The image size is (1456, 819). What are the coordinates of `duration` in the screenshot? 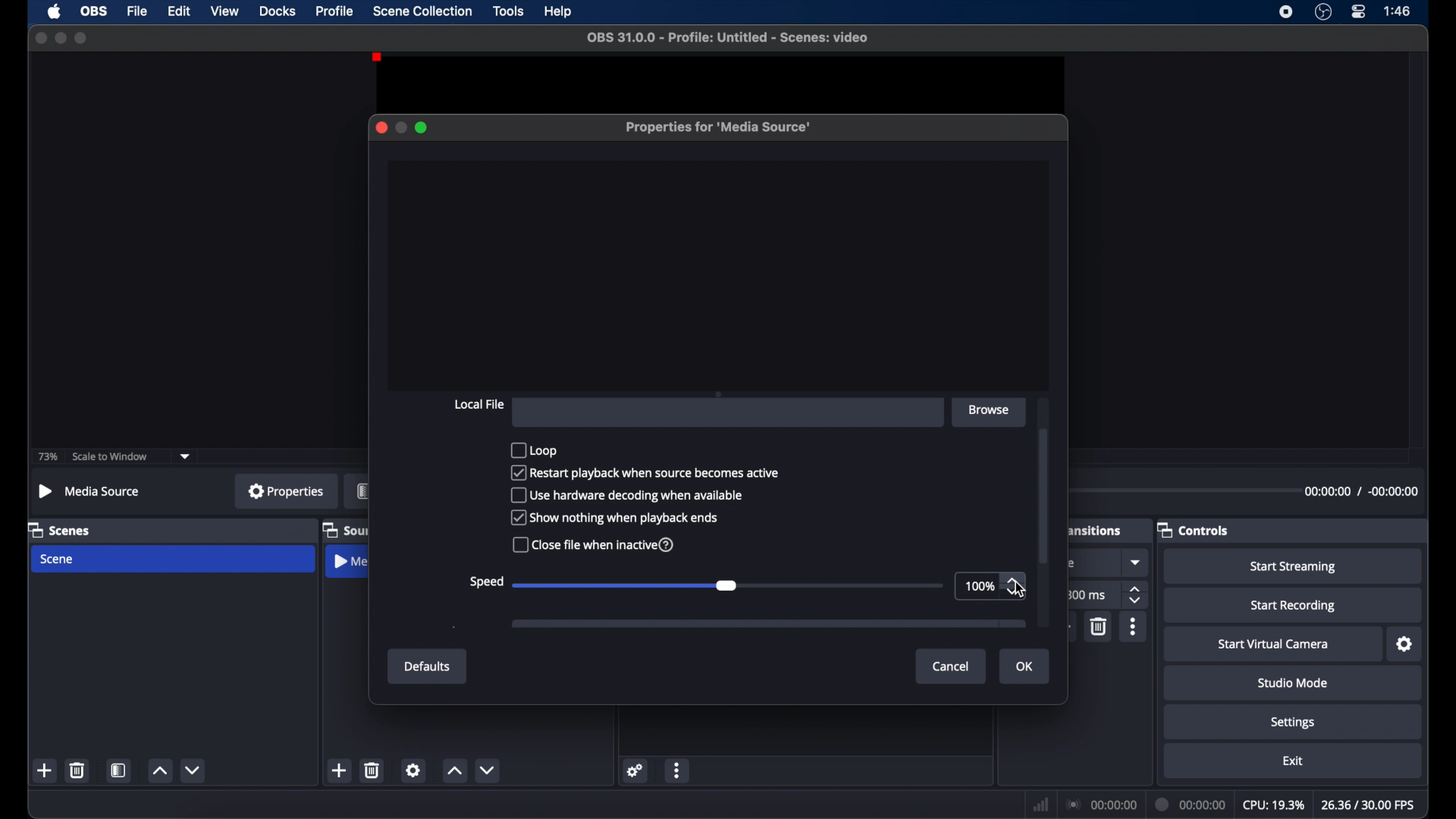 It's located at (1192, 805).